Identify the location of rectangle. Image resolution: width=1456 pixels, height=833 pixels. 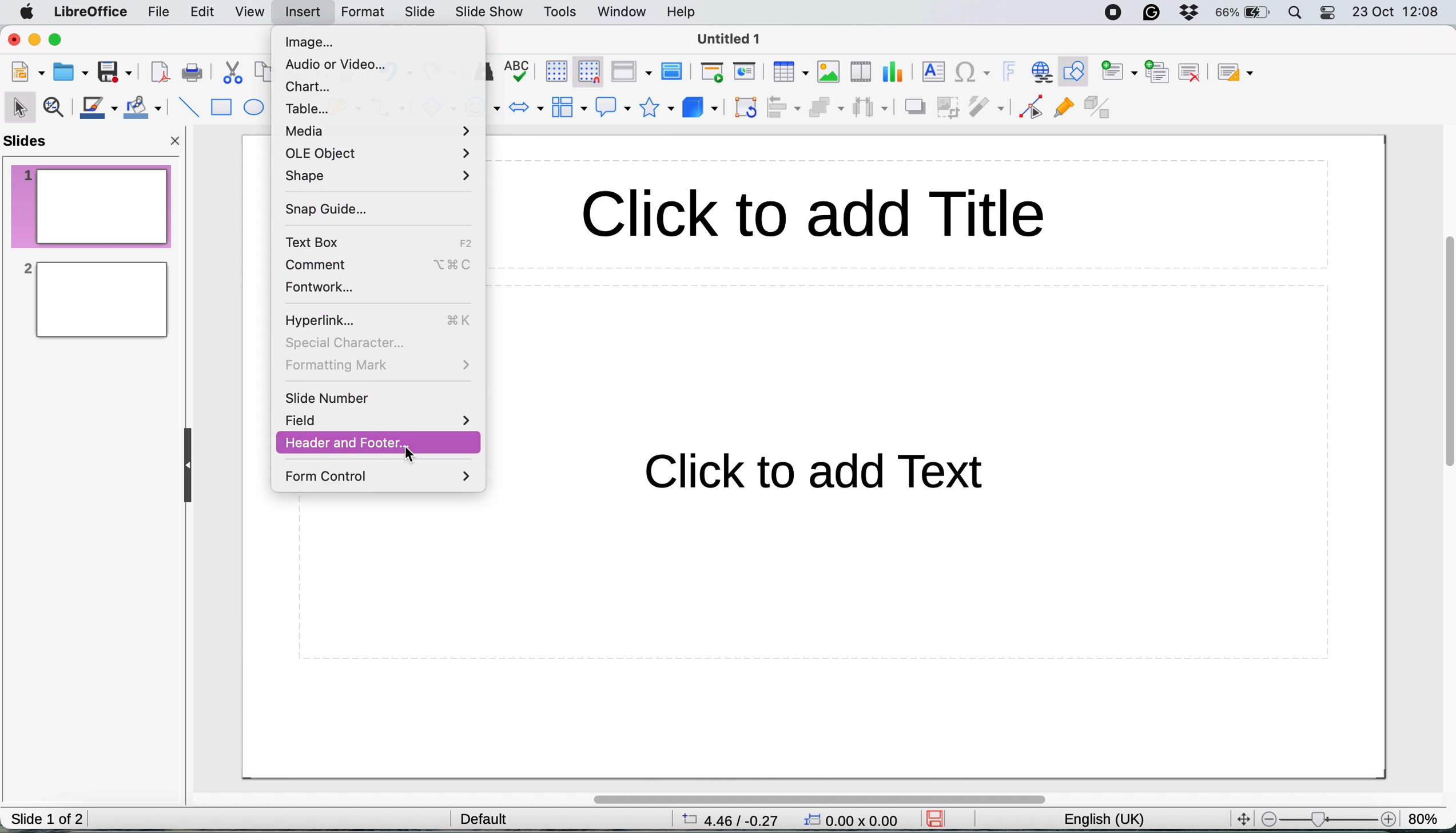
(221, 109).